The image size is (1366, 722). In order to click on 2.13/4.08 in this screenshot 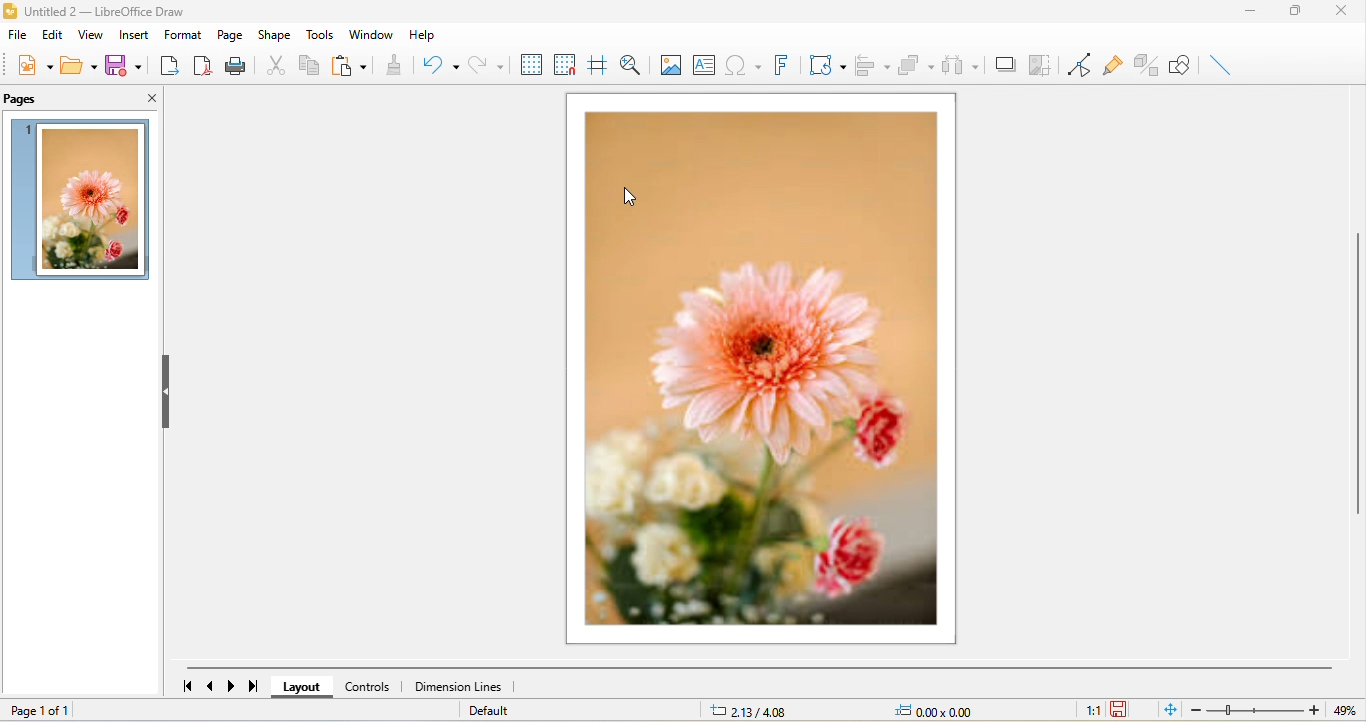, I will do `click(753, 711)`.